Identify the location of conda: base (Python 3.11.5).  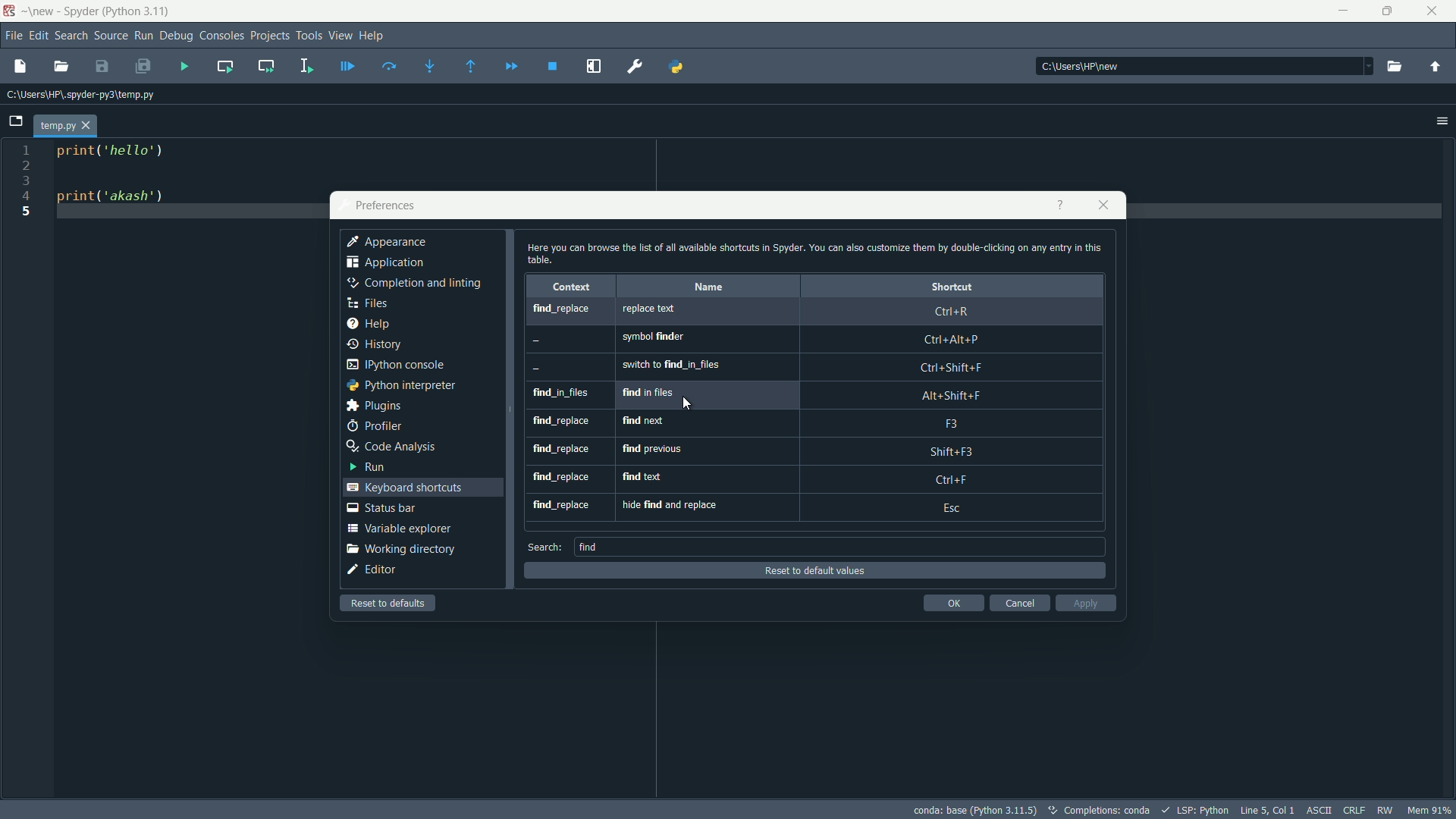
(967, 812).